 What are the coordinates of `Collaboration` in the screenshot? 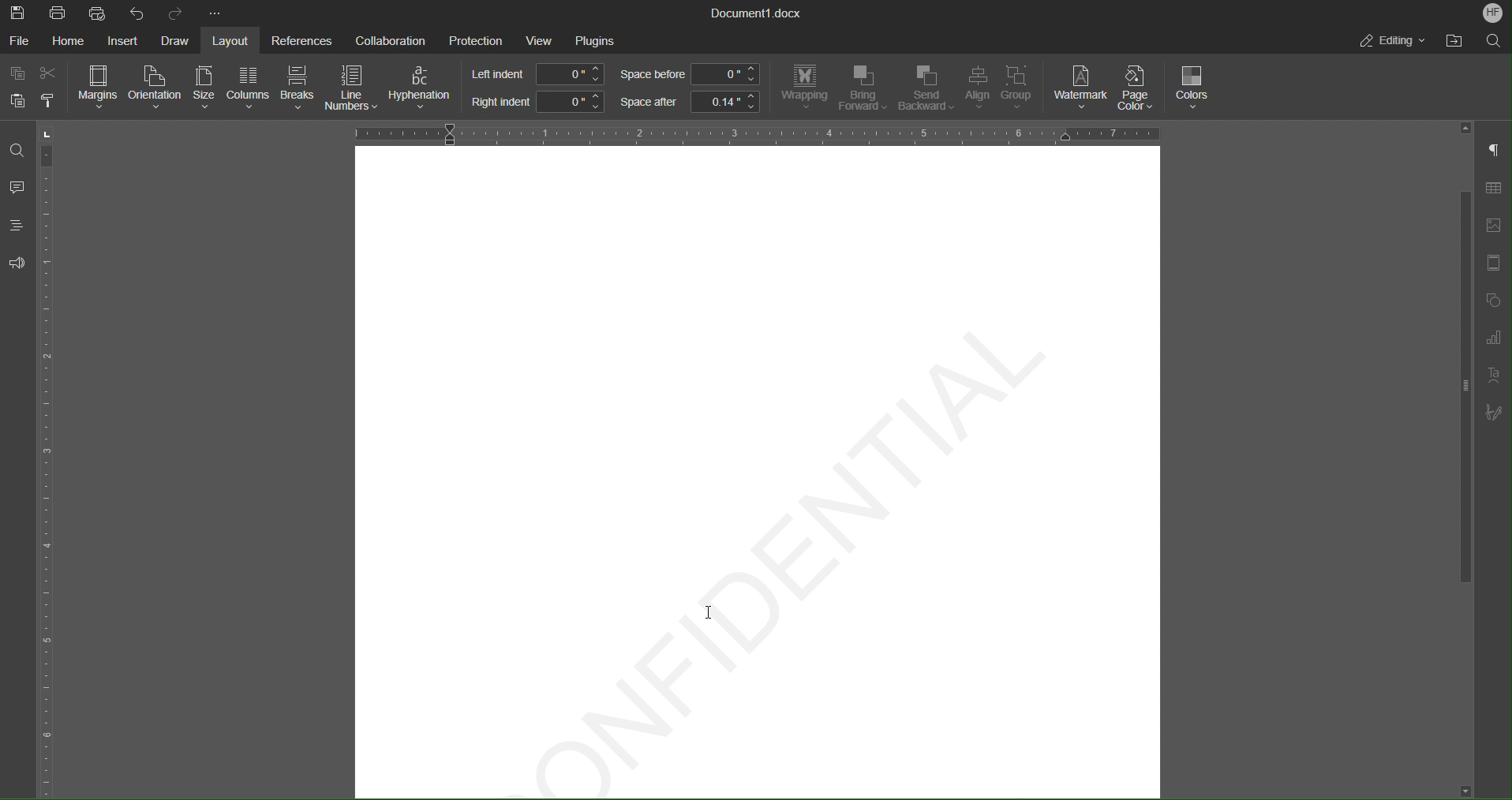 It's located at (386, 39).